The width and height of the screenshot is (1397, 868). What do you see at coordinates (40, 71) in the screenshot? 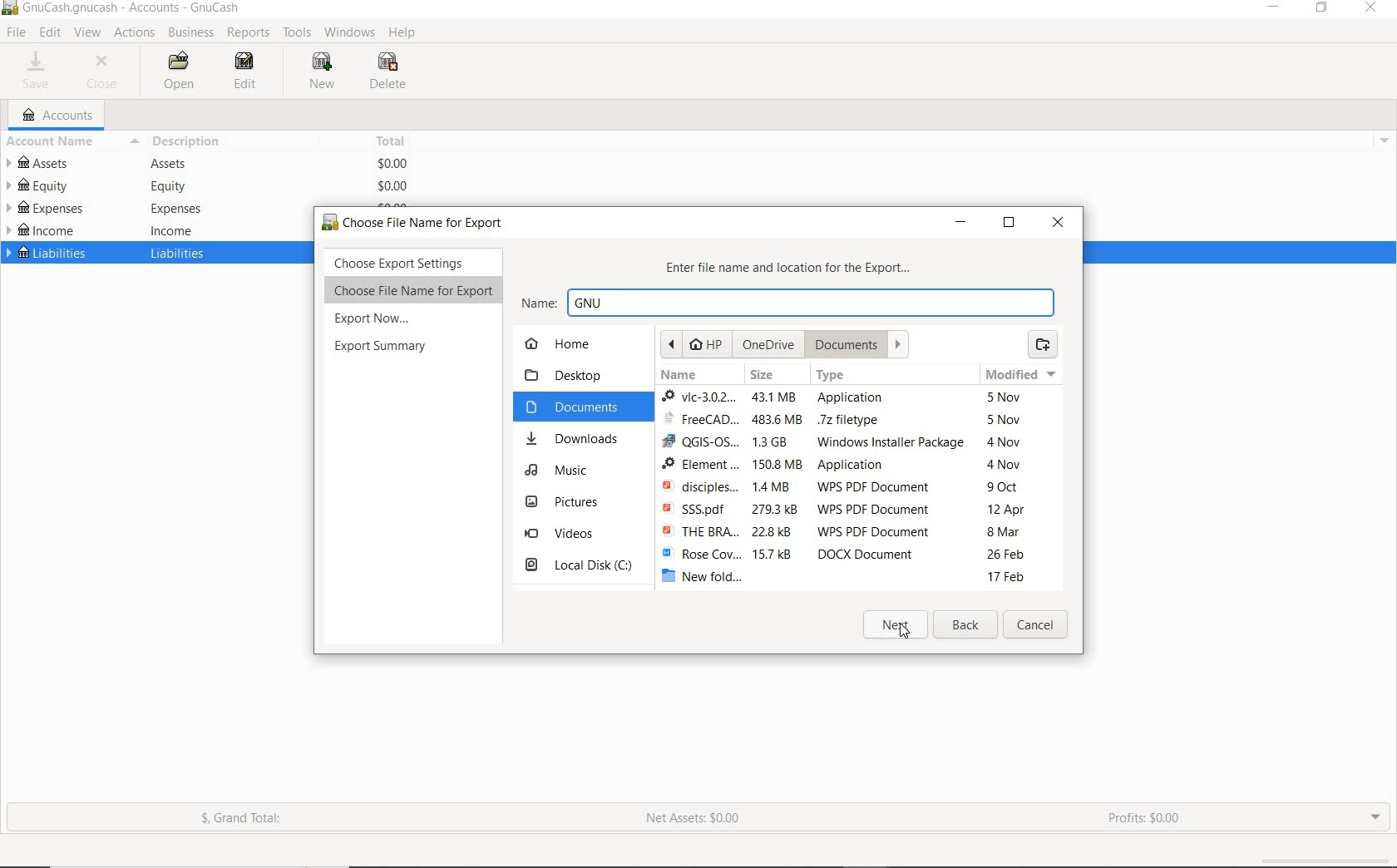
I see `SAVE` at bounding box center [40, 71].